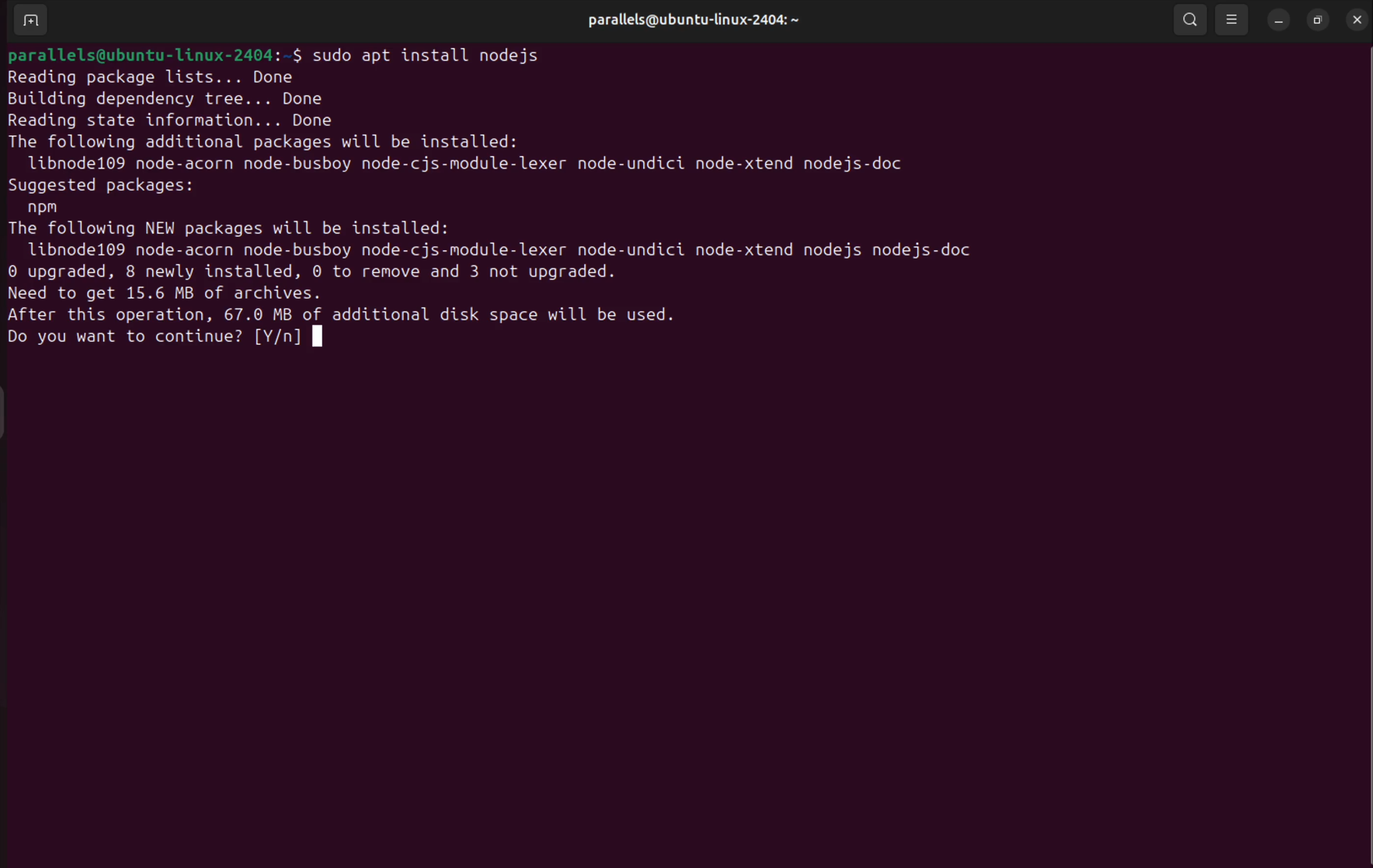  Describe the element at coordinates (153, 54) in the screenshot. I see `parallels@ubuntu-linux-2404: ~$` at that location.